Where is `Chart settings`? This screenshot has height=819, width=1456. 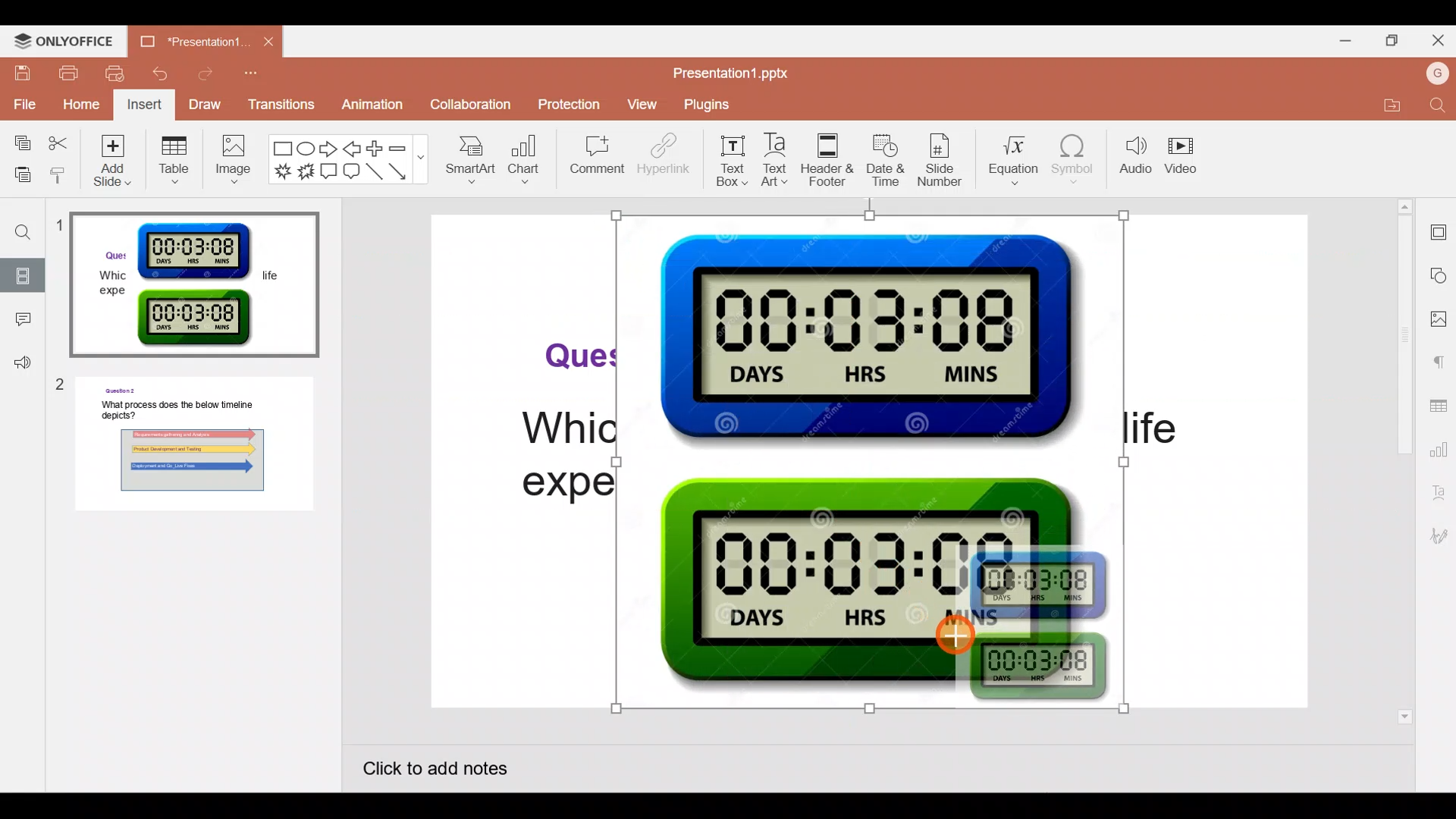
Chart settings is located at coordinates (1439, 450).